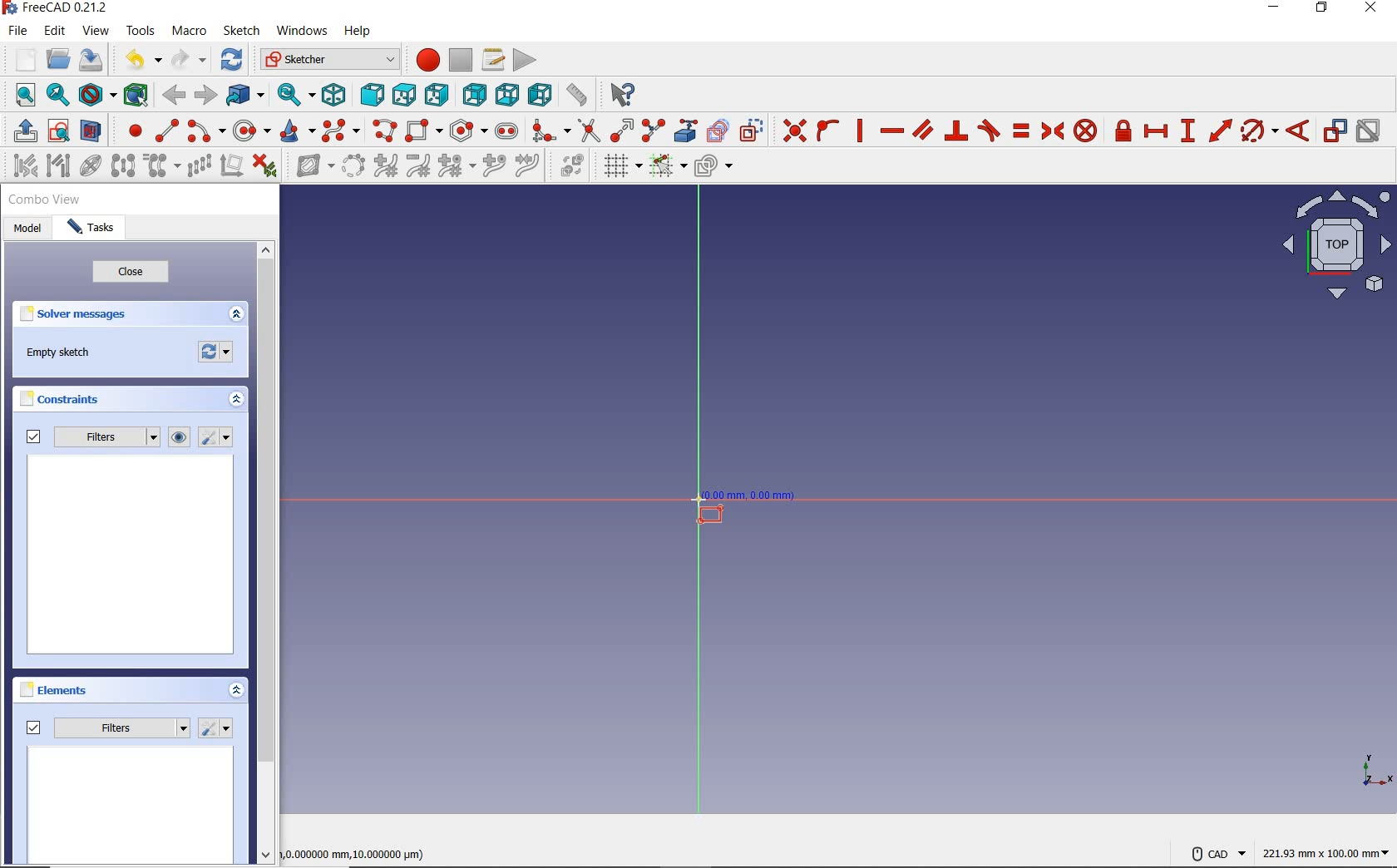 The width and height of the screenshot is (1397, 868). Describe the element at coordinates (292, 96) in the screenshot. I see `sync view` at that location.